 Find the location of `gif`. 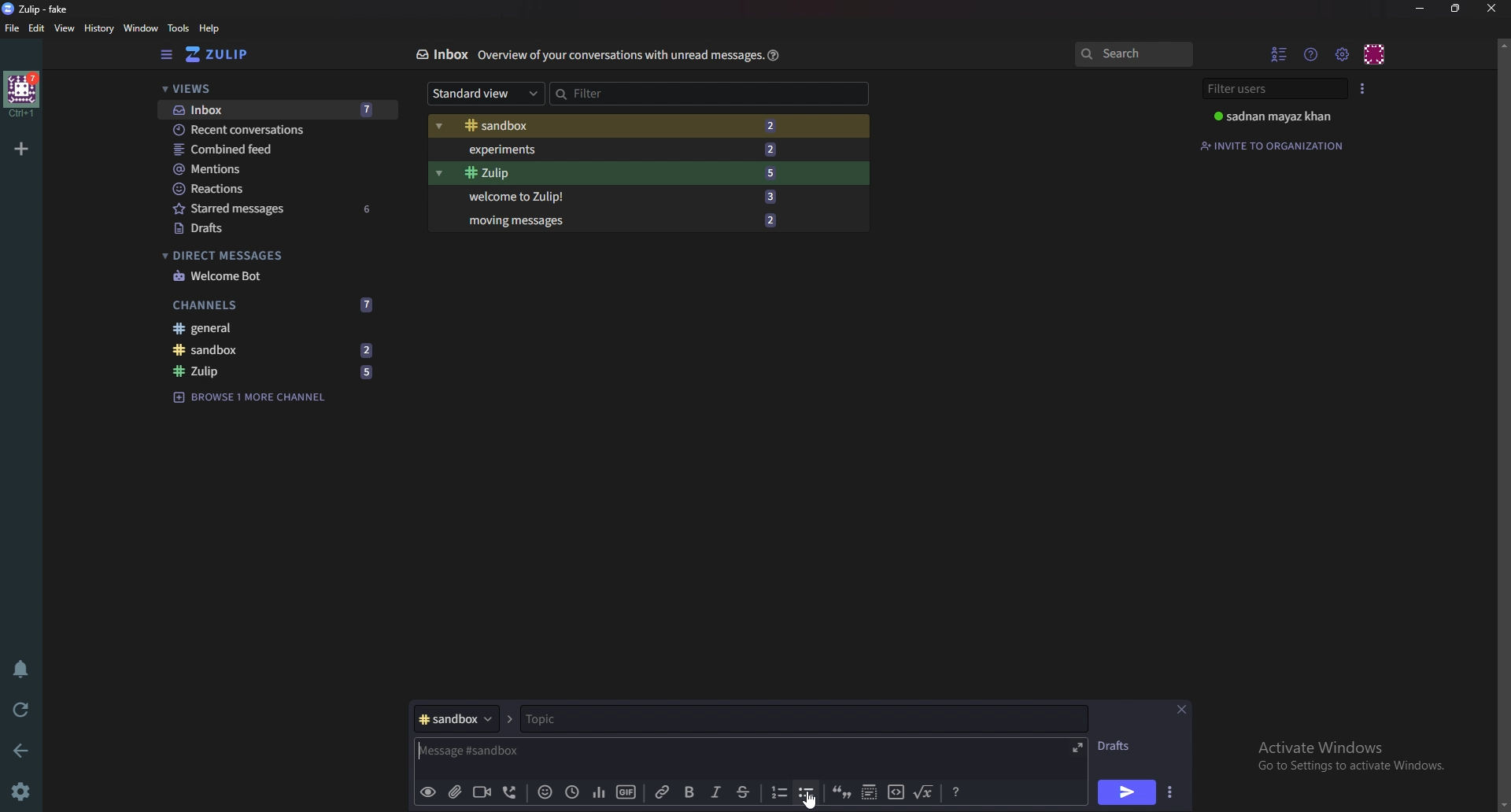

gif is located at coordinates (626, 792).